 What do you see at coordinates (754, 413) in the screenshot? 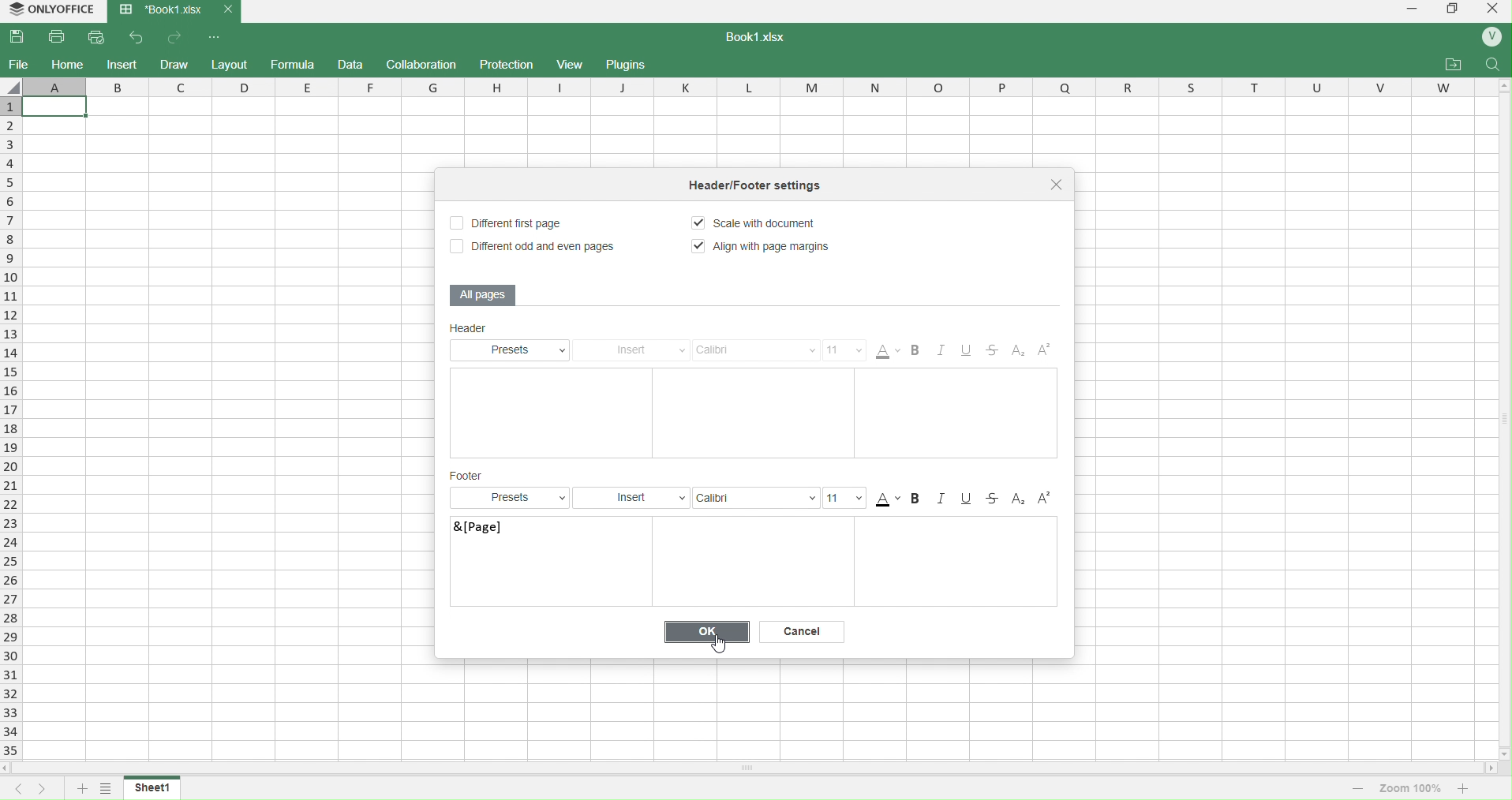
I see `Text Boxes` at bounding box center [754, 413].